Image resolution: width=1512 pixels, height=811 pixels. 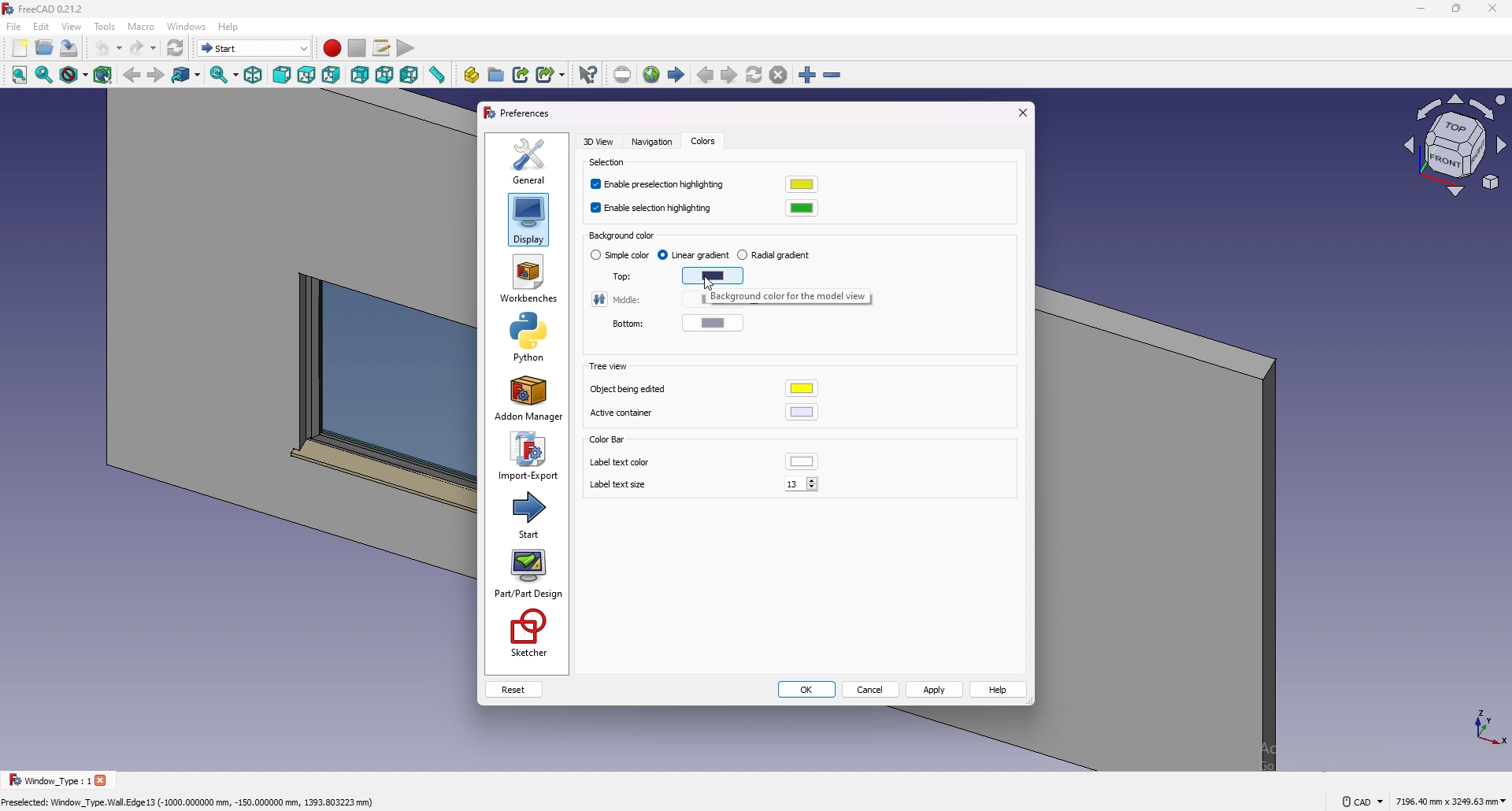 I want to click on bottom color, so click(x=715, y=323).